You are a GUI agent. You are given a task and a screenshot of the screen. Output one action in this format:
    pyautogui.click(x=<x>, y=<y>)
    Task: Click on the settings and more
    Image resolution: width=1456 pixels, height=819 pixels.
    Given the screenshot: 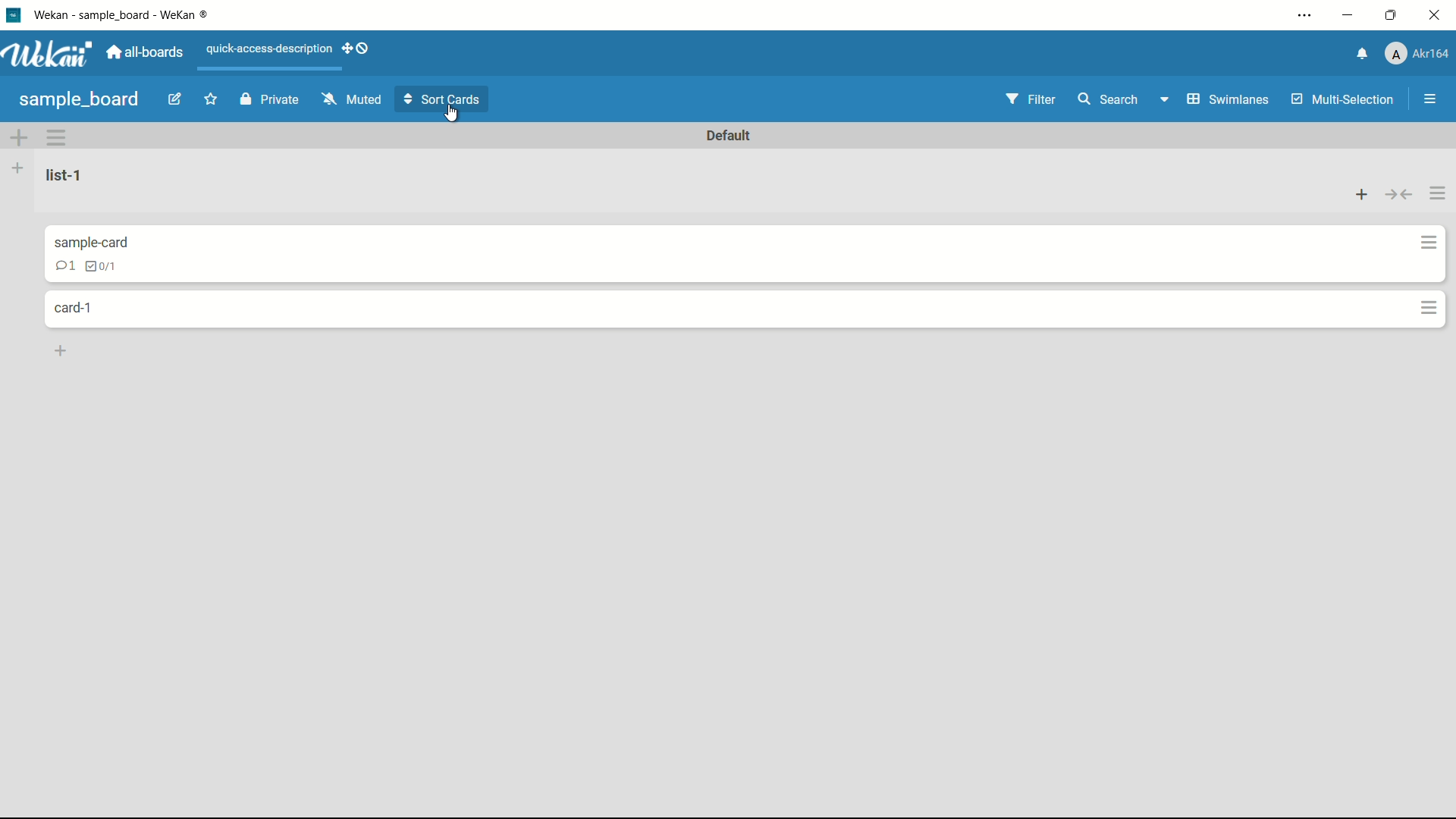 What is the action you would take?
    pyautogui.click(x=1305, y=16)
    